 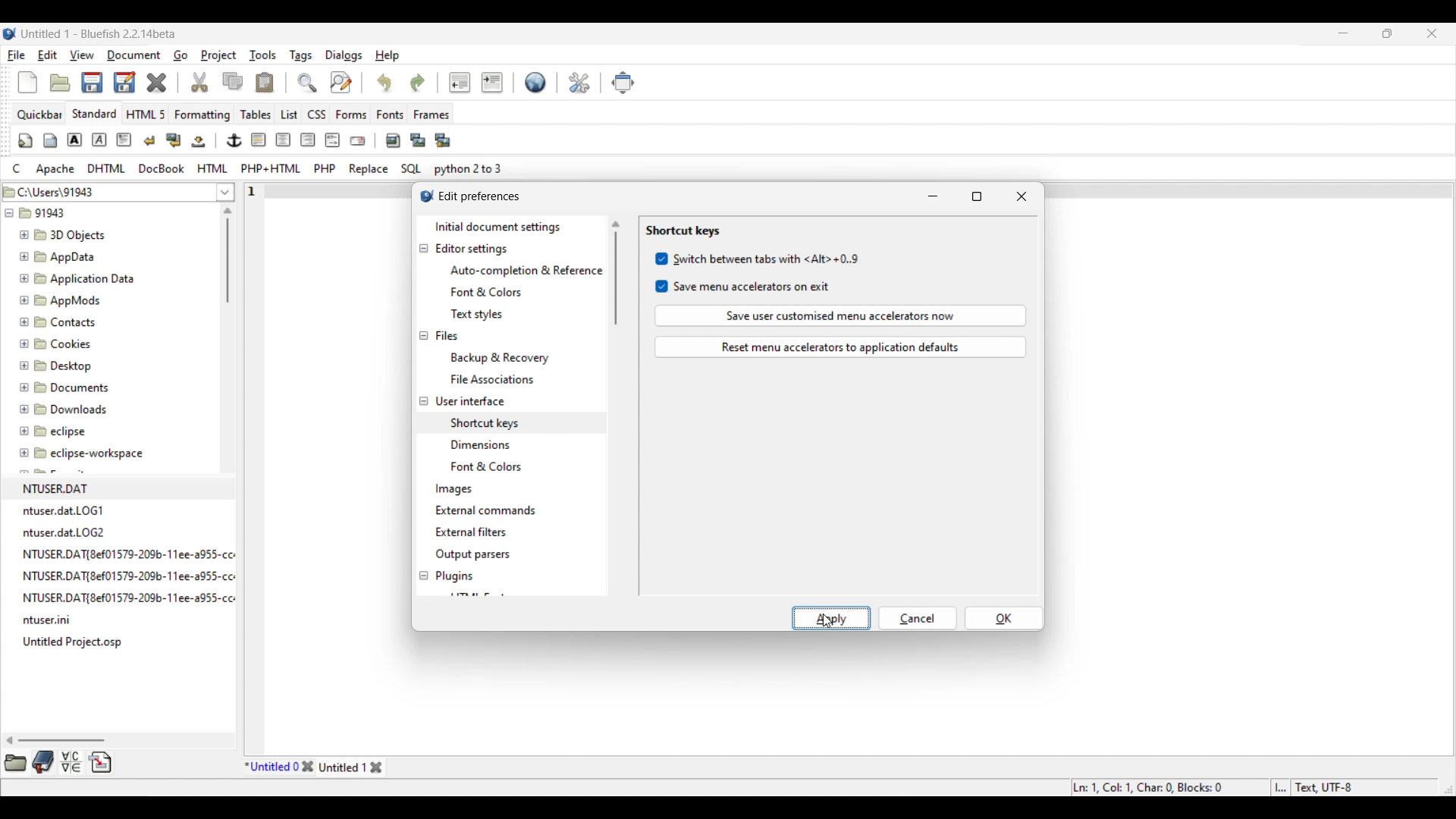 What do you see at coordinates (423, 198) in the screenshot?
I see `logo` at bounding box center [423, 198].